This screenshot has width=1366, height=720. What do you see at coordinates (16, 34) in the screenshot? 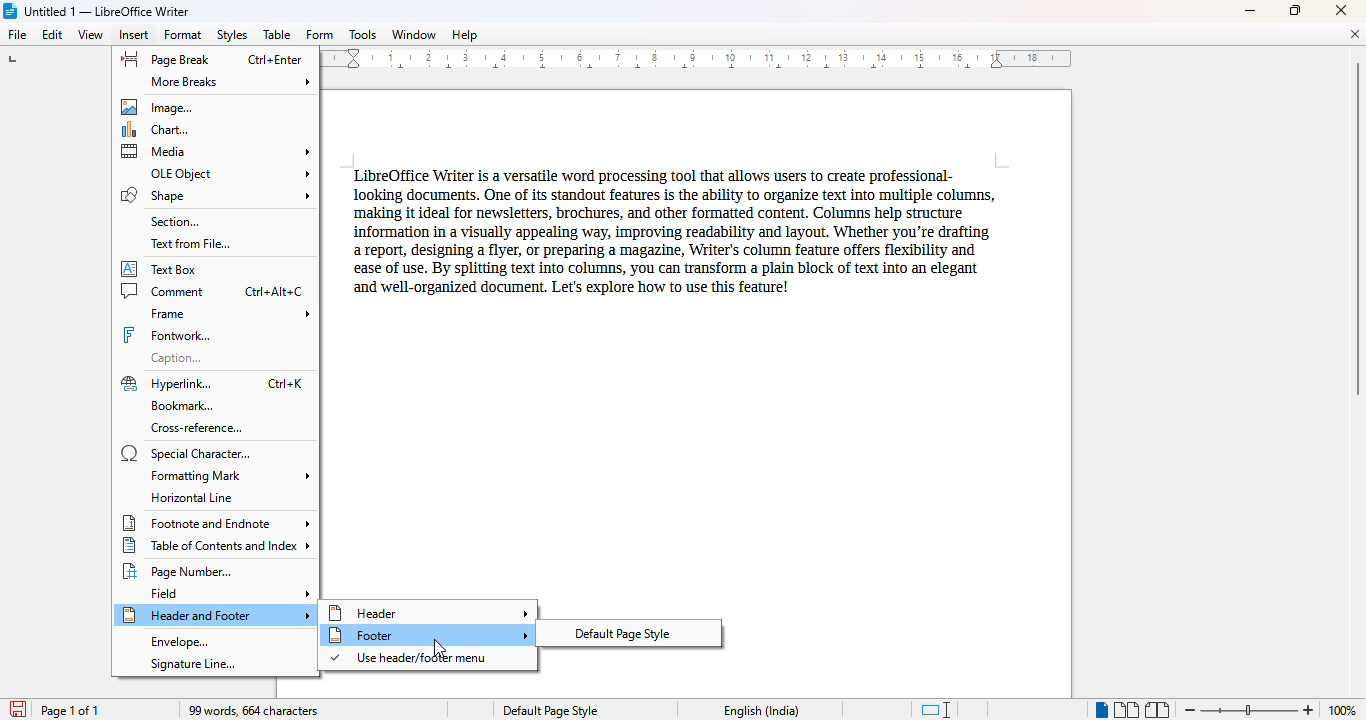
I see `file` at bounding box center [16, 34].